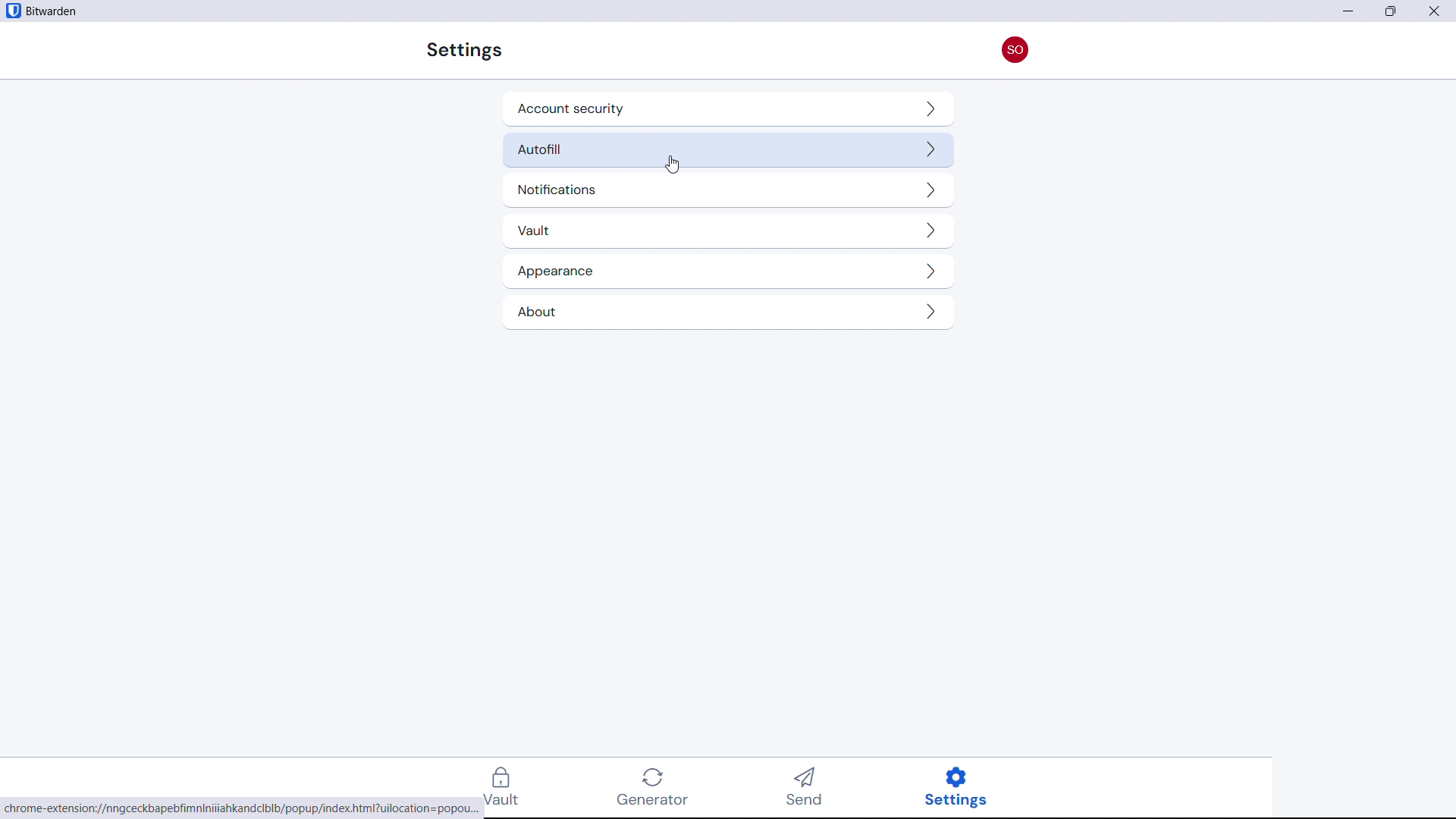 The image size is (1456, 819). What do you see at coordinates (725, 231) in the screenshot?
I see `Vault ` at bounding box center [725, 231].